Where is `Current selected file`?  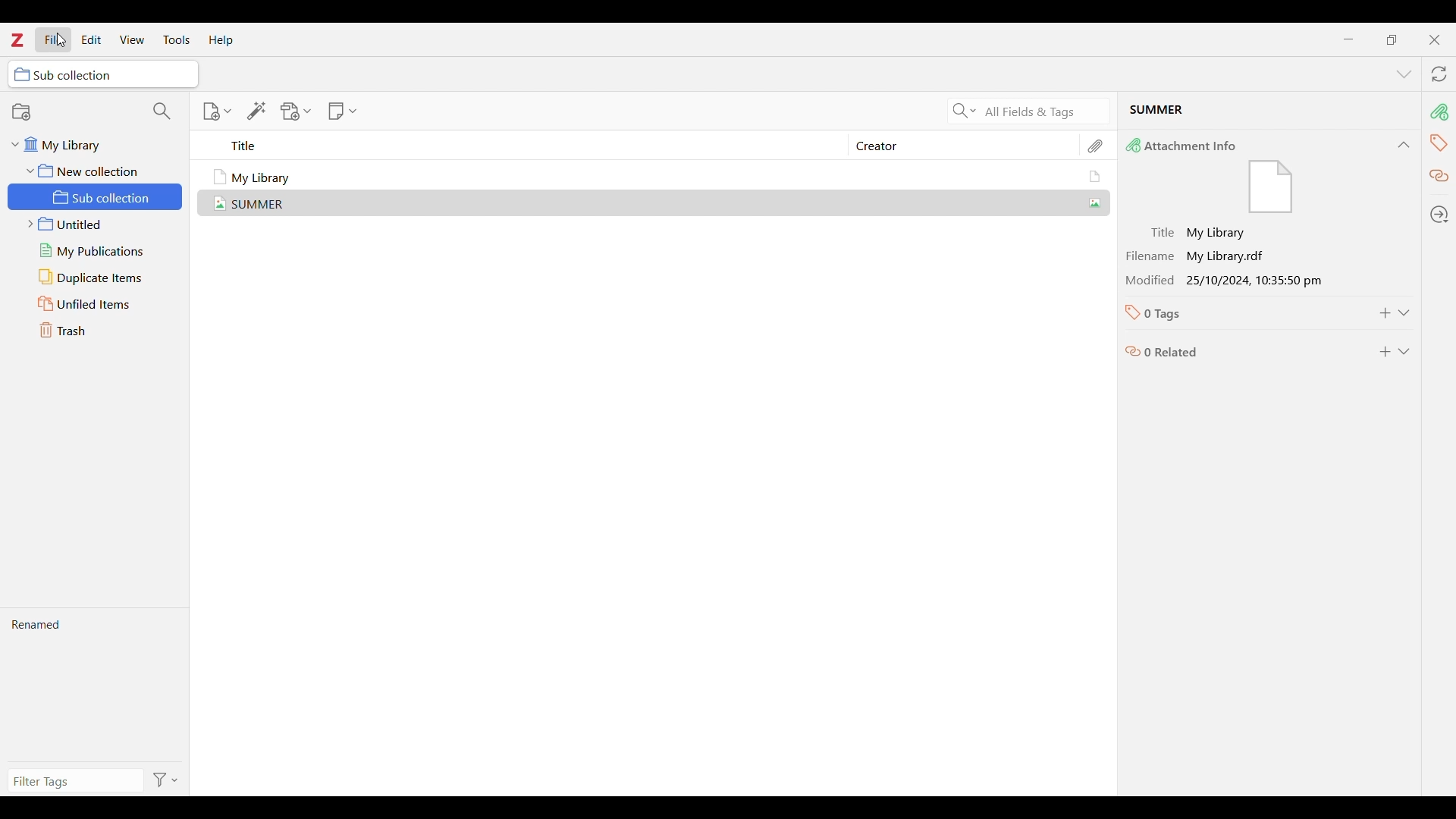 Current selected file is located at coordinates (1269, 112).